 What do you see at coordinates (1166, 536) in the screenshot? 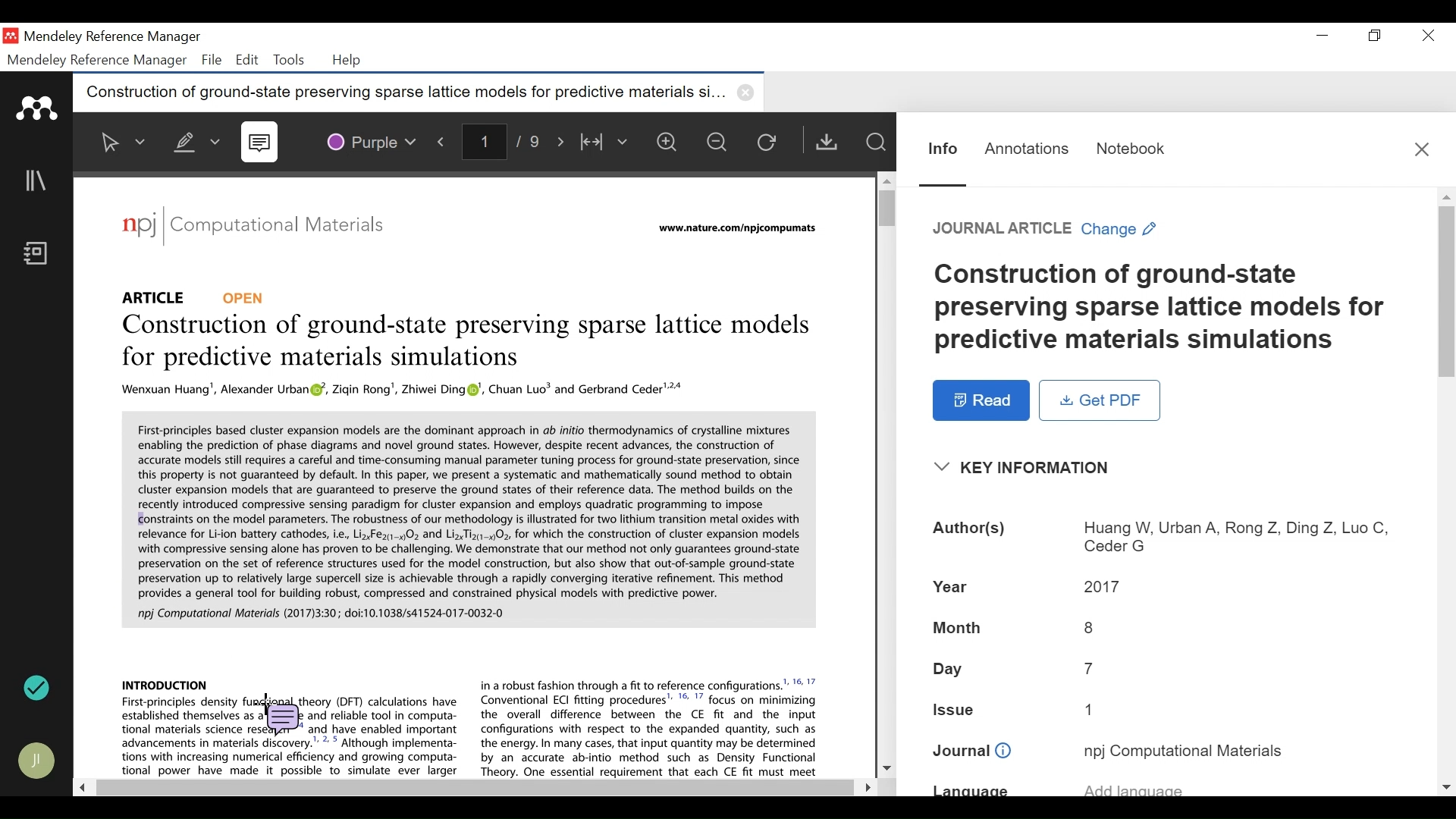
I see `Authors` at bounding box center [1166, 536].